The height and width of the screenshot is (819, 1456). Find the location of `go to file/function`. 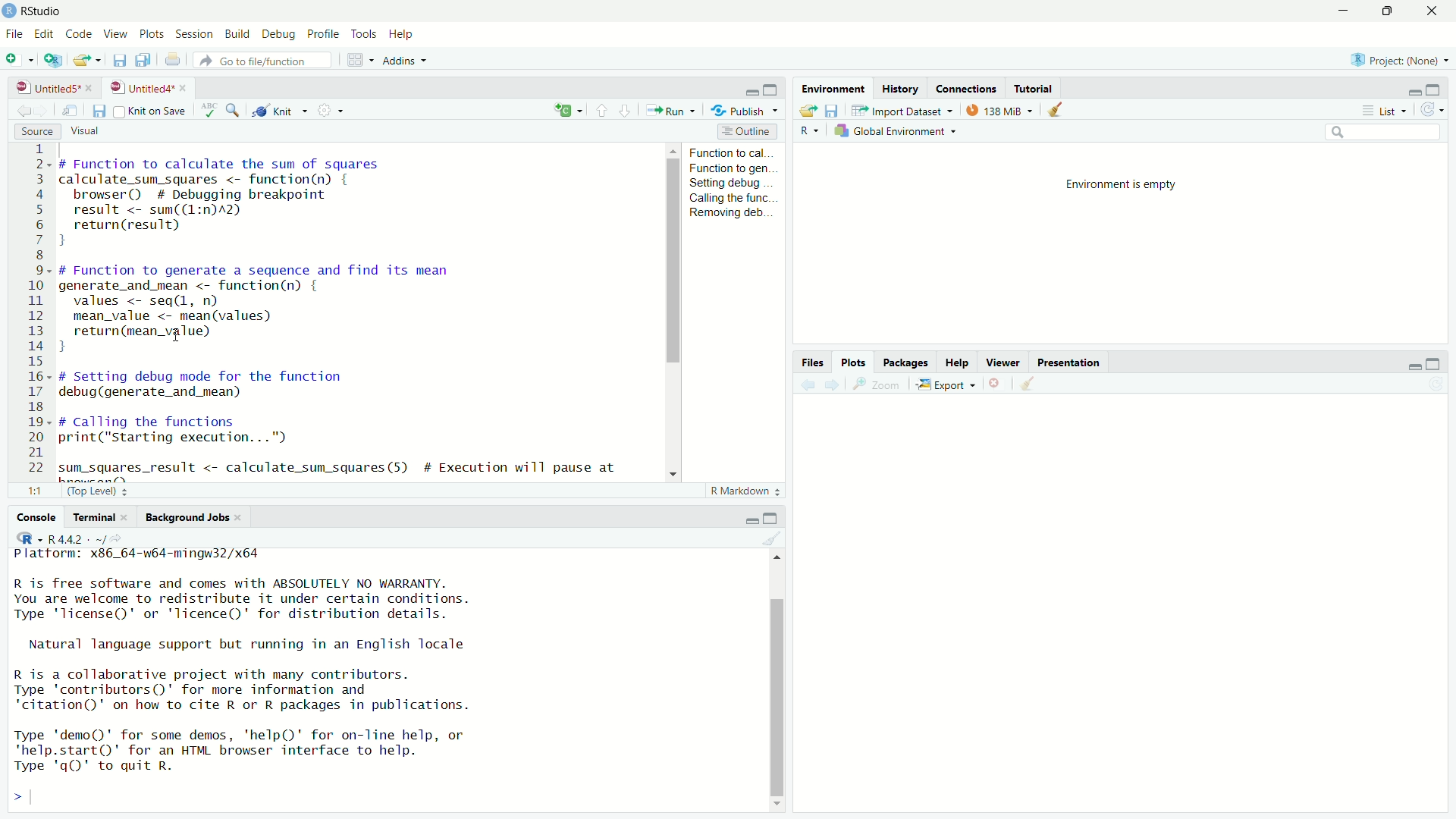

go to file/function is located at coordinates (264, 59).